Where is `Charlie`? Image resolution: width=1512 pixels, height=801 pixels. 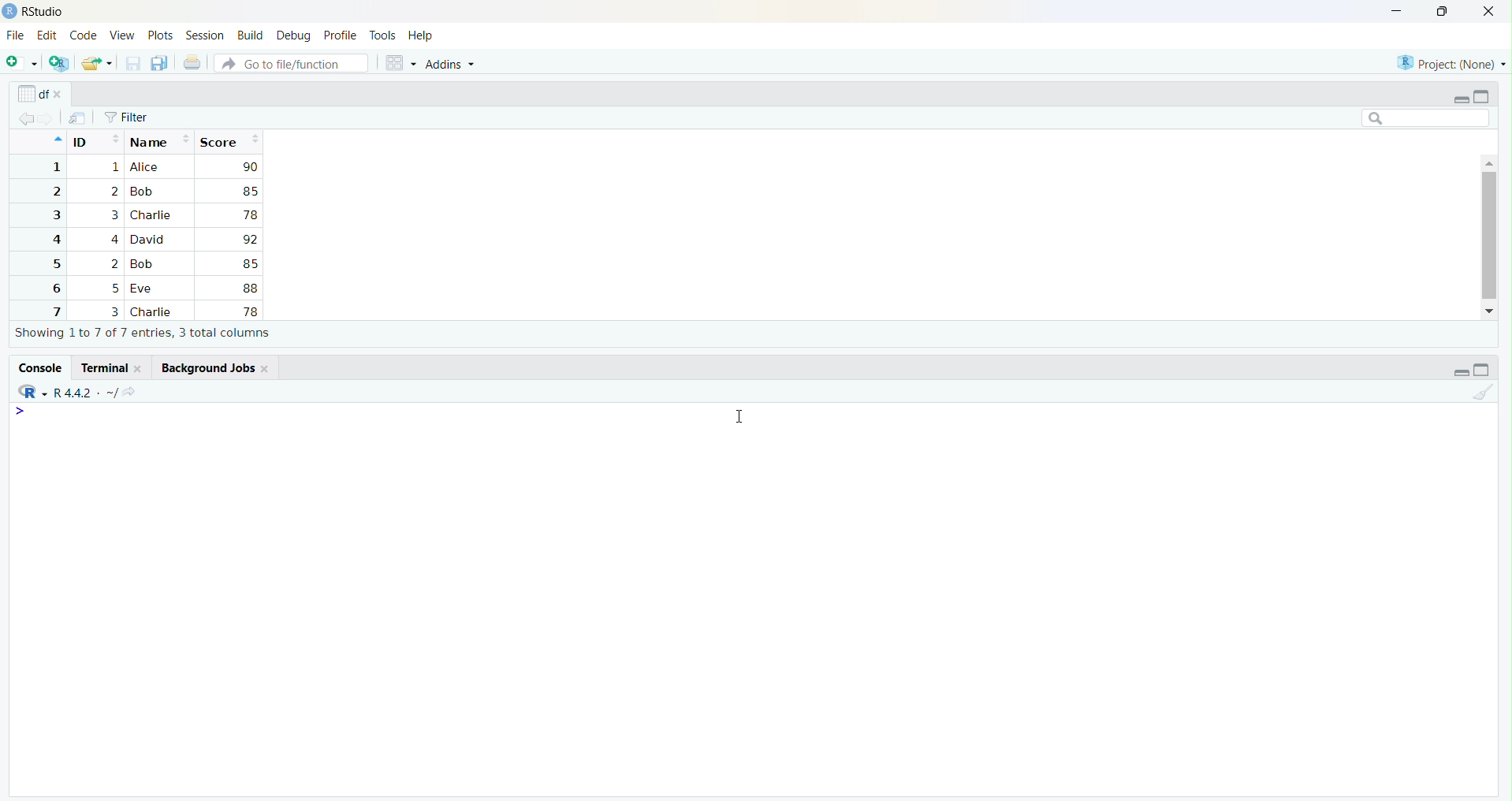 Charlie is located at coordinates (154, 312).